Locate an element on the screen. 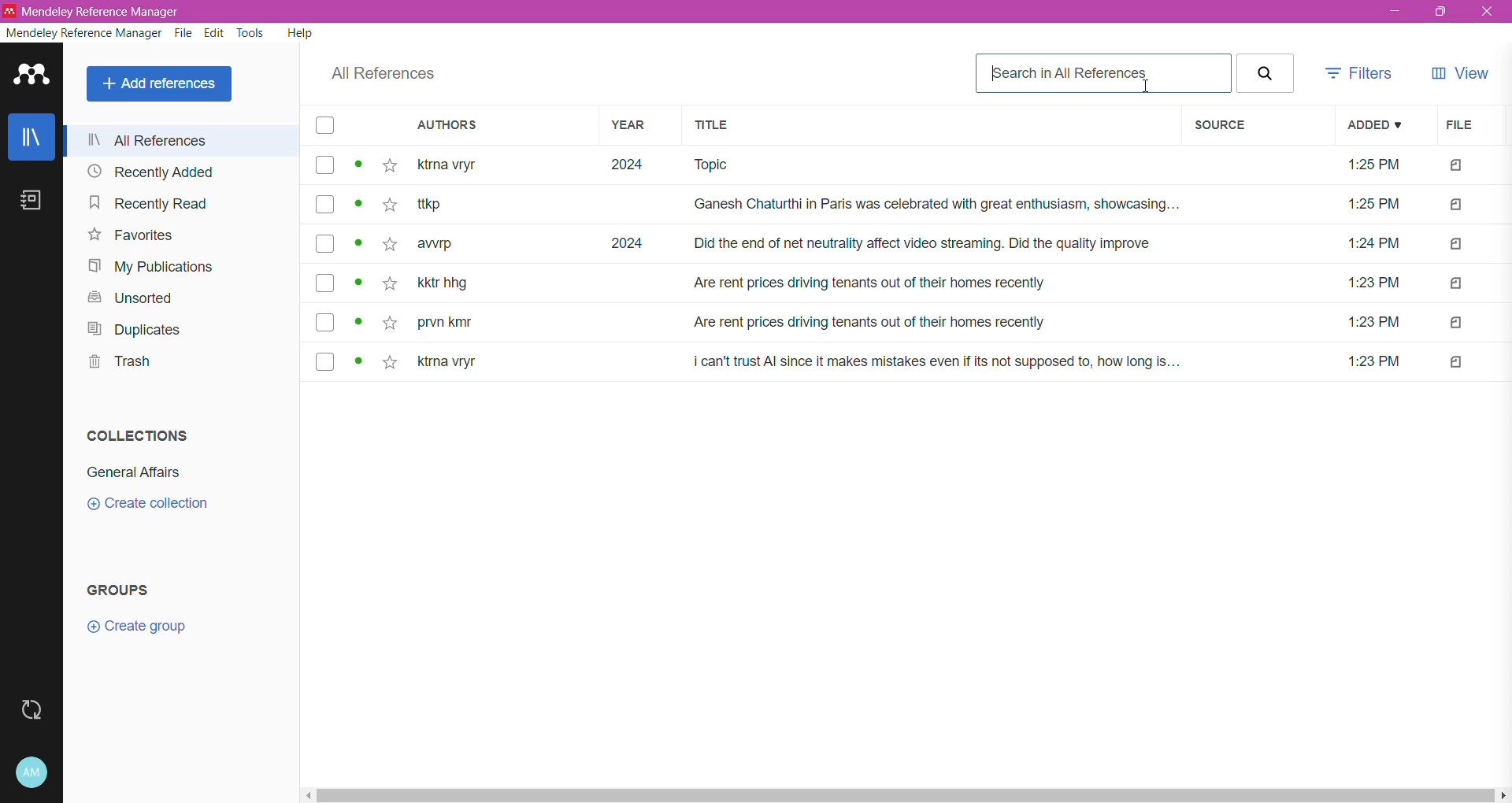  collections is located at coordinates (134, 436).